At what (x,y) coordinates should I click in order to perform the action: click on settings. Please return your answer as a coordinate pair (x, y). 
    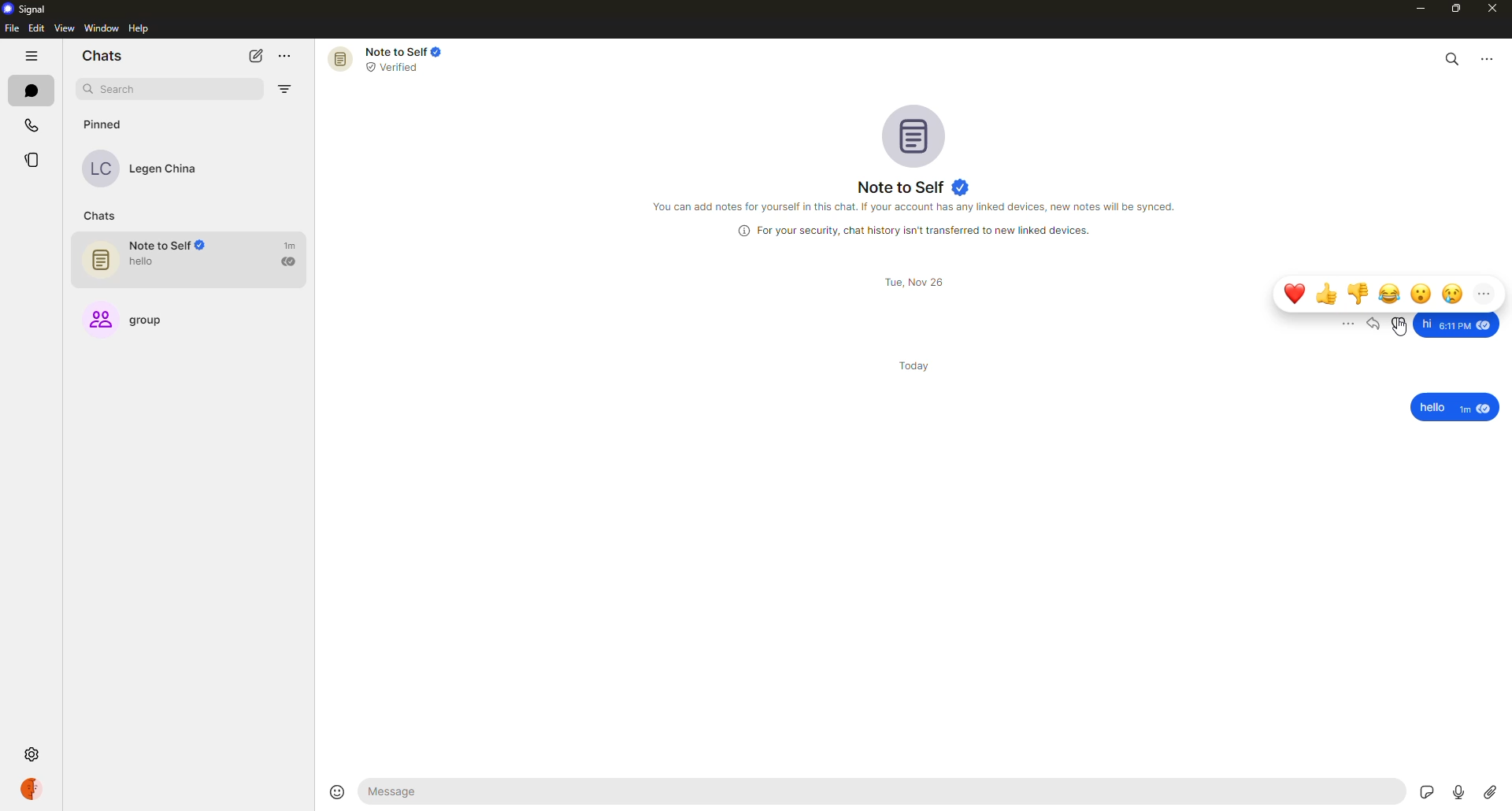
    Looking at the image, I should click on (30, 755).